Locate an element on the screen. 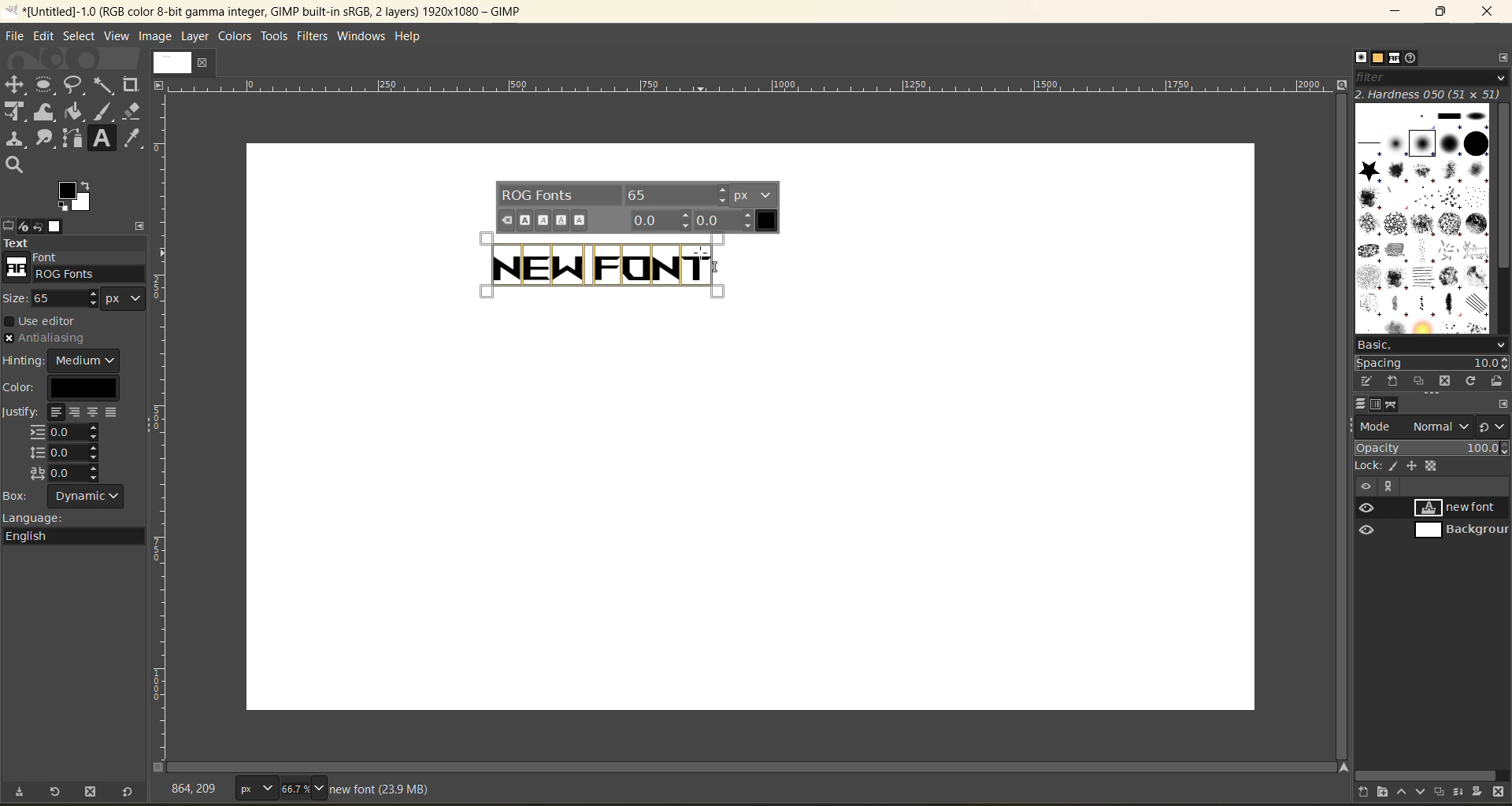 The width and height of the screenshot is (1512, 806). spacing is located at coordinates (1431, 364).